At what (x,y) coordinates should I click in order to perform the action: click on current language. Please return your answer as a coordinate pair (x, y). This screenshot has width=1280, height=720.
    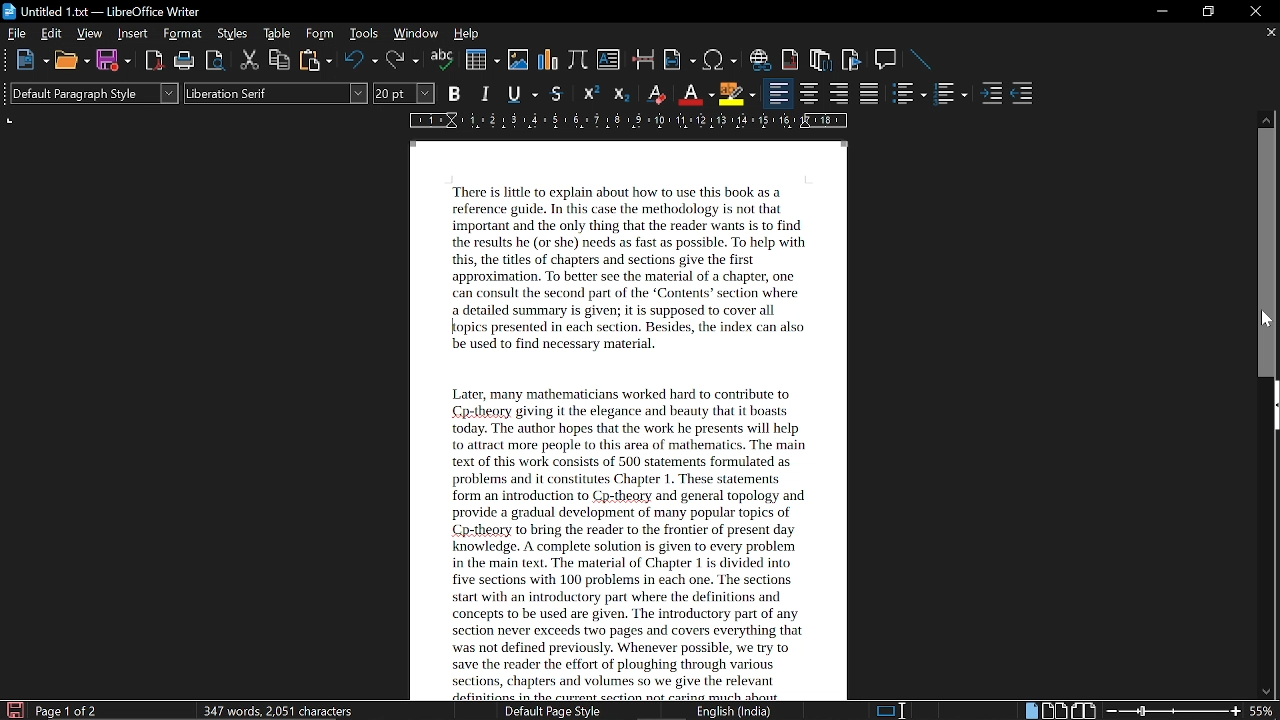
    Looking at the image, I should click on (732, 711).